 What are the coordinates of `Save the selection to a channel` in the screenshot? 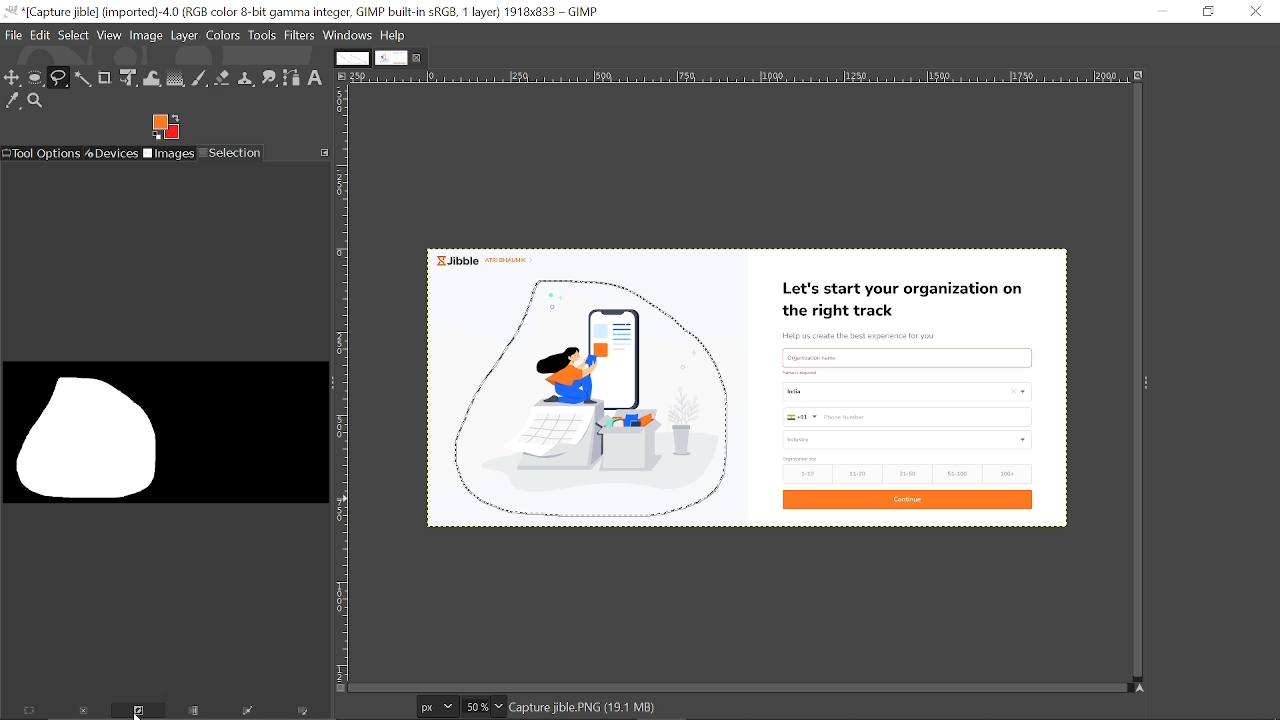 It's located at (195, 712).